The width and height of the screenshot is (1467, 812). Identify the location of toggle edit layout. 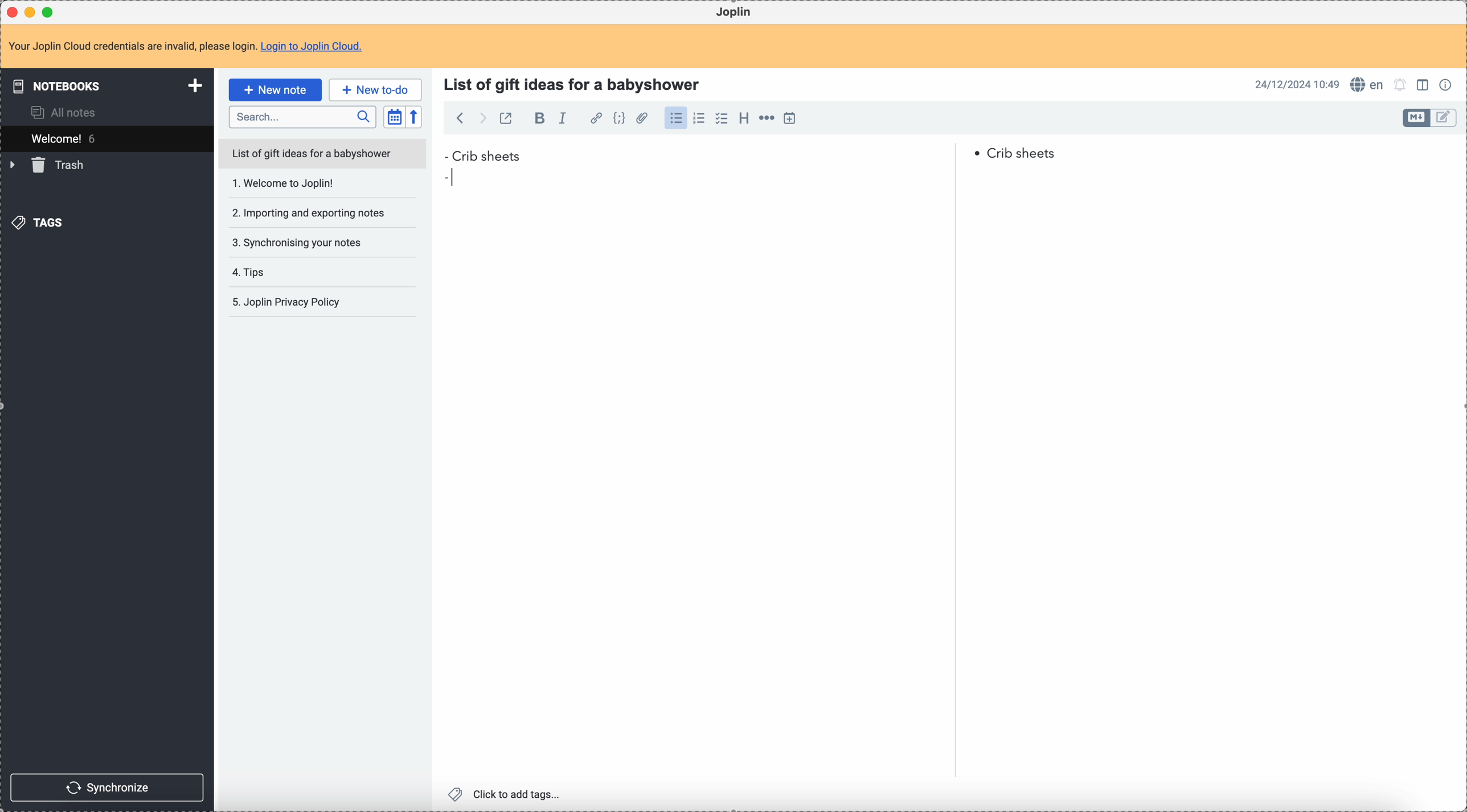
(1444, 118).